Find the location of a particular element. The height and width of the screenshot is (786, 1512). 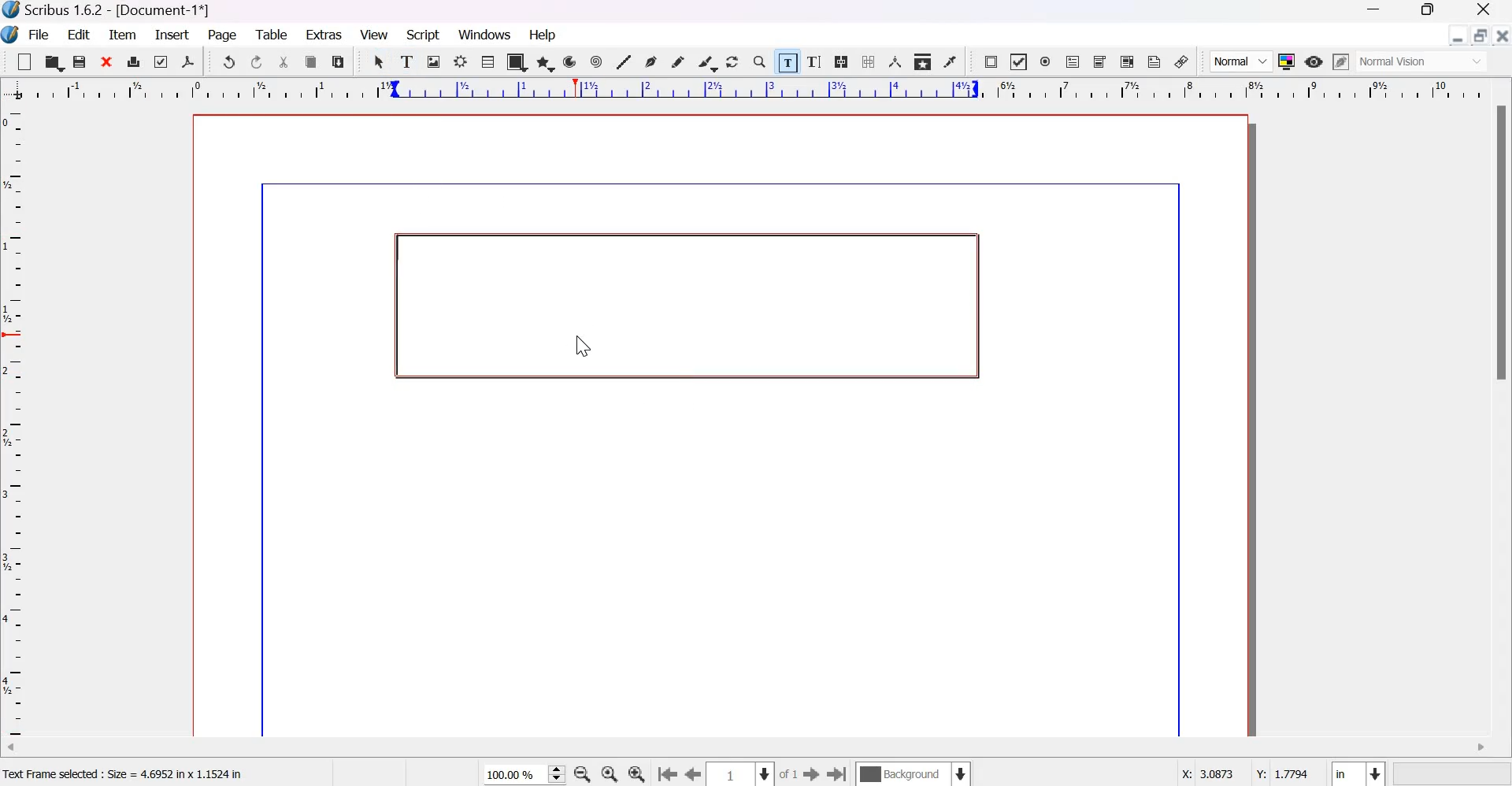

Link annotation is located at coordinates (1182, 61).